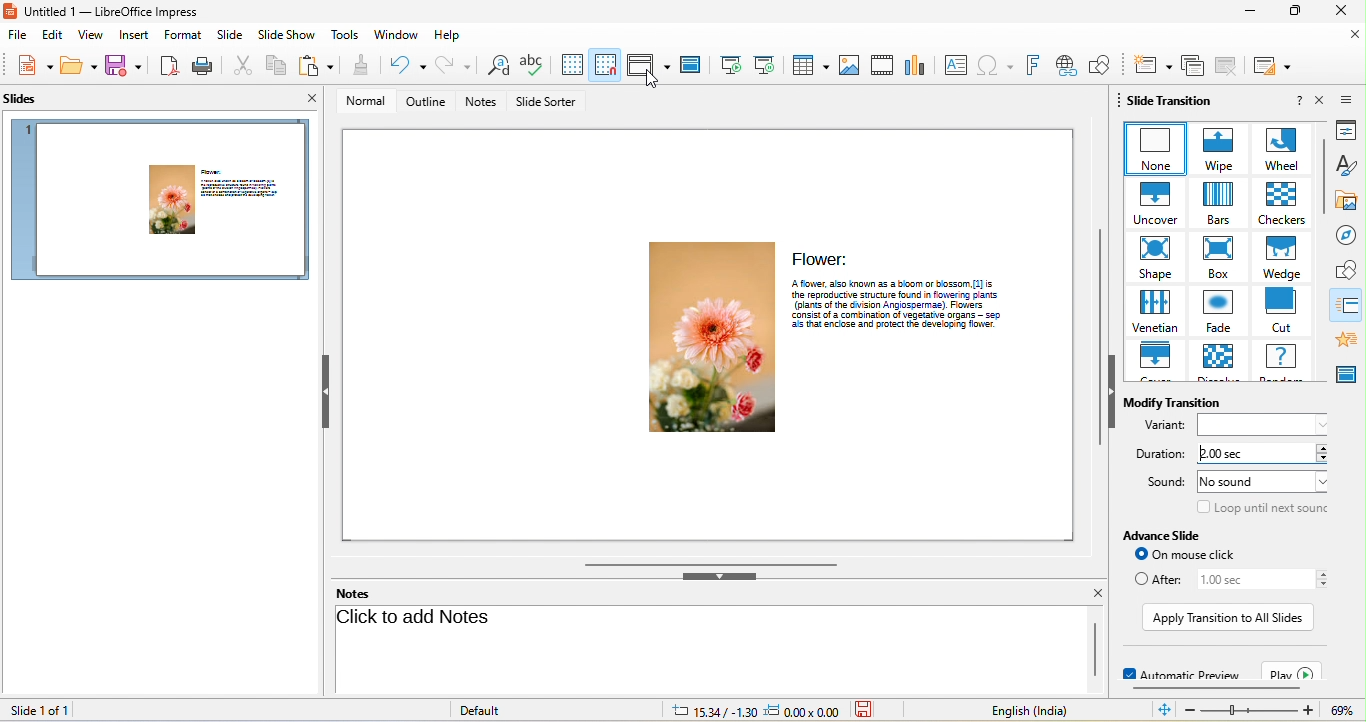  I want to click on insert, so click(135, 35).